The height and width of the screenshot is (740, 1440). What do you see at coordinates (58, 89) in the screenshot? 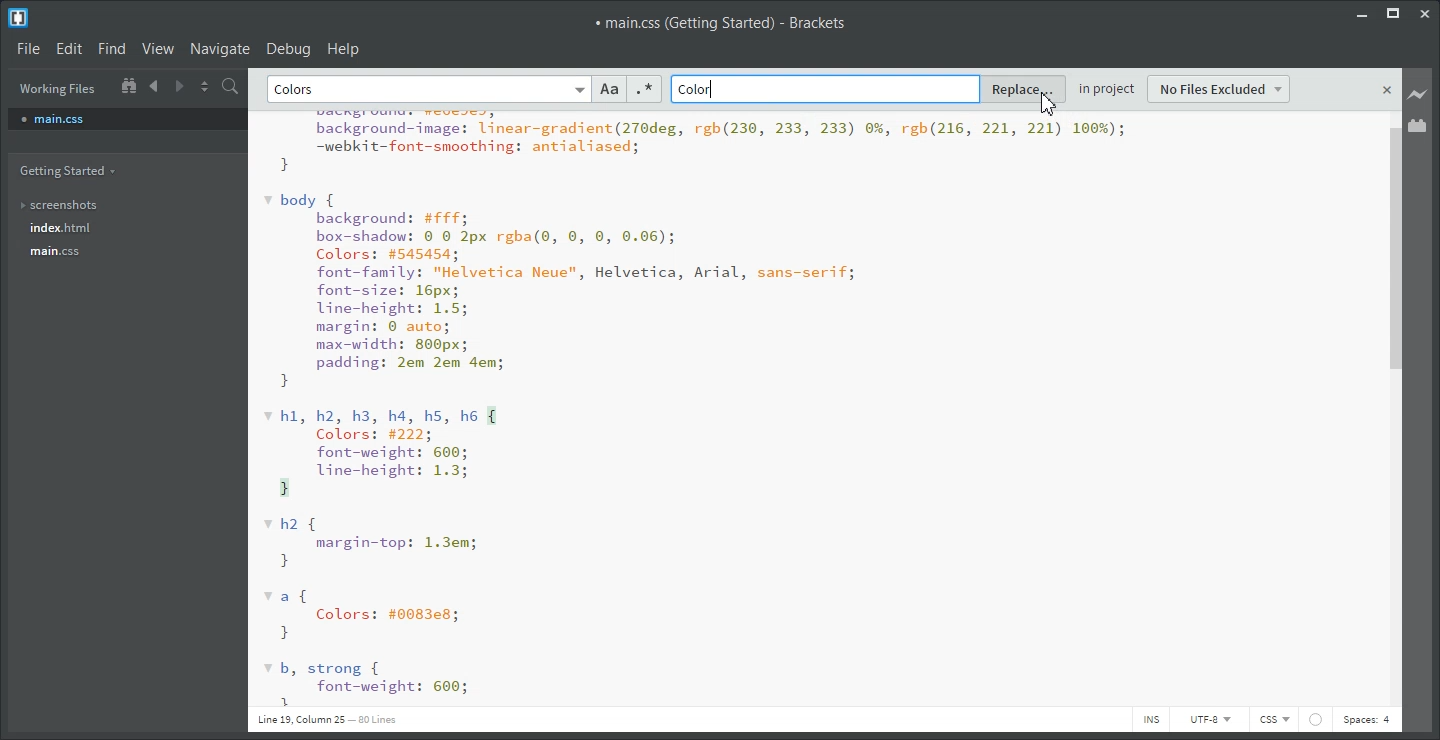
I see `Working Files` at bounding box center [58, 89].